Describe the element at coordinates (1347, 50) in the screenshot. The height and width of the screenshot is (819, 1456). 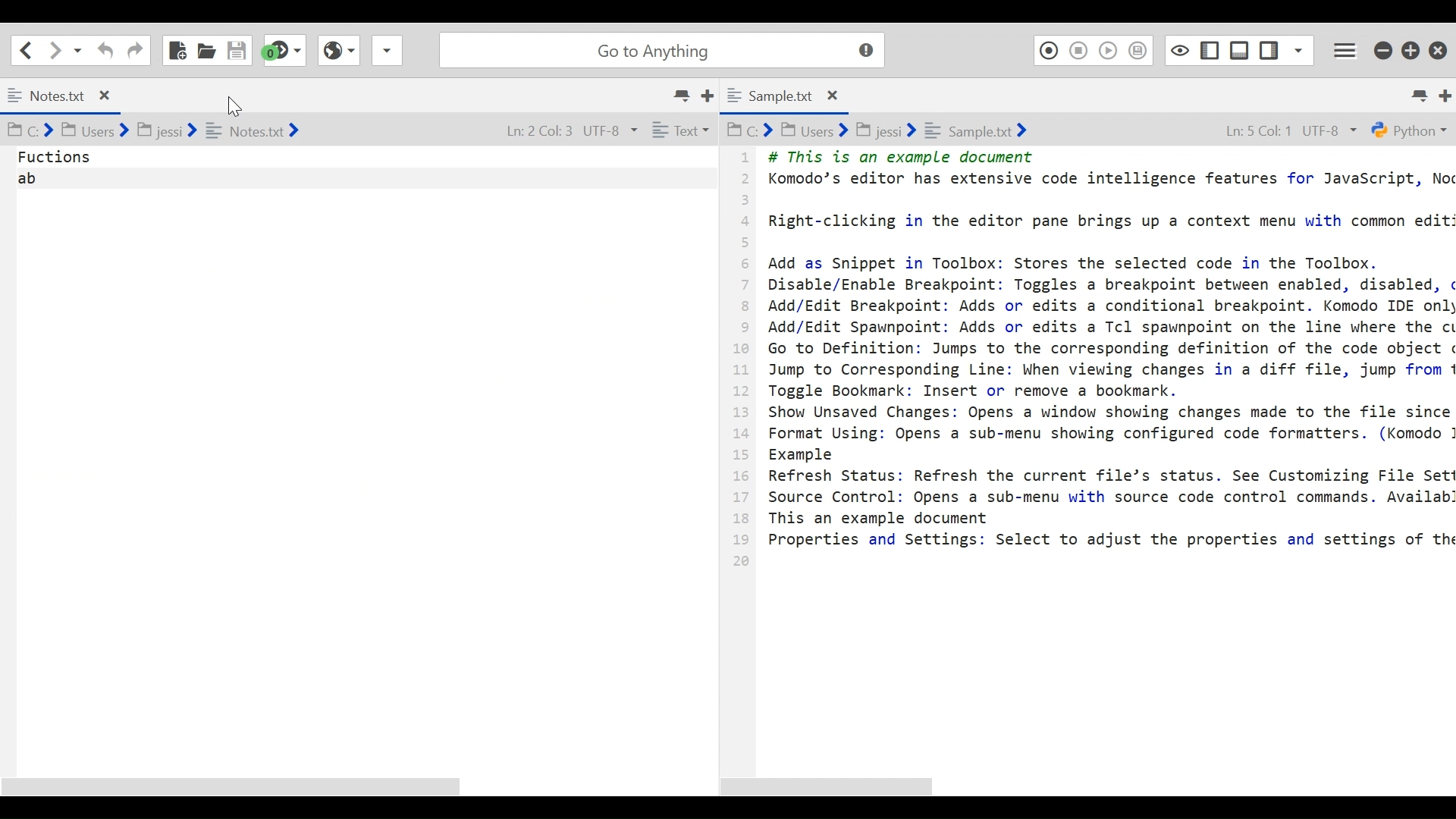
I see `Application menu` at that location.